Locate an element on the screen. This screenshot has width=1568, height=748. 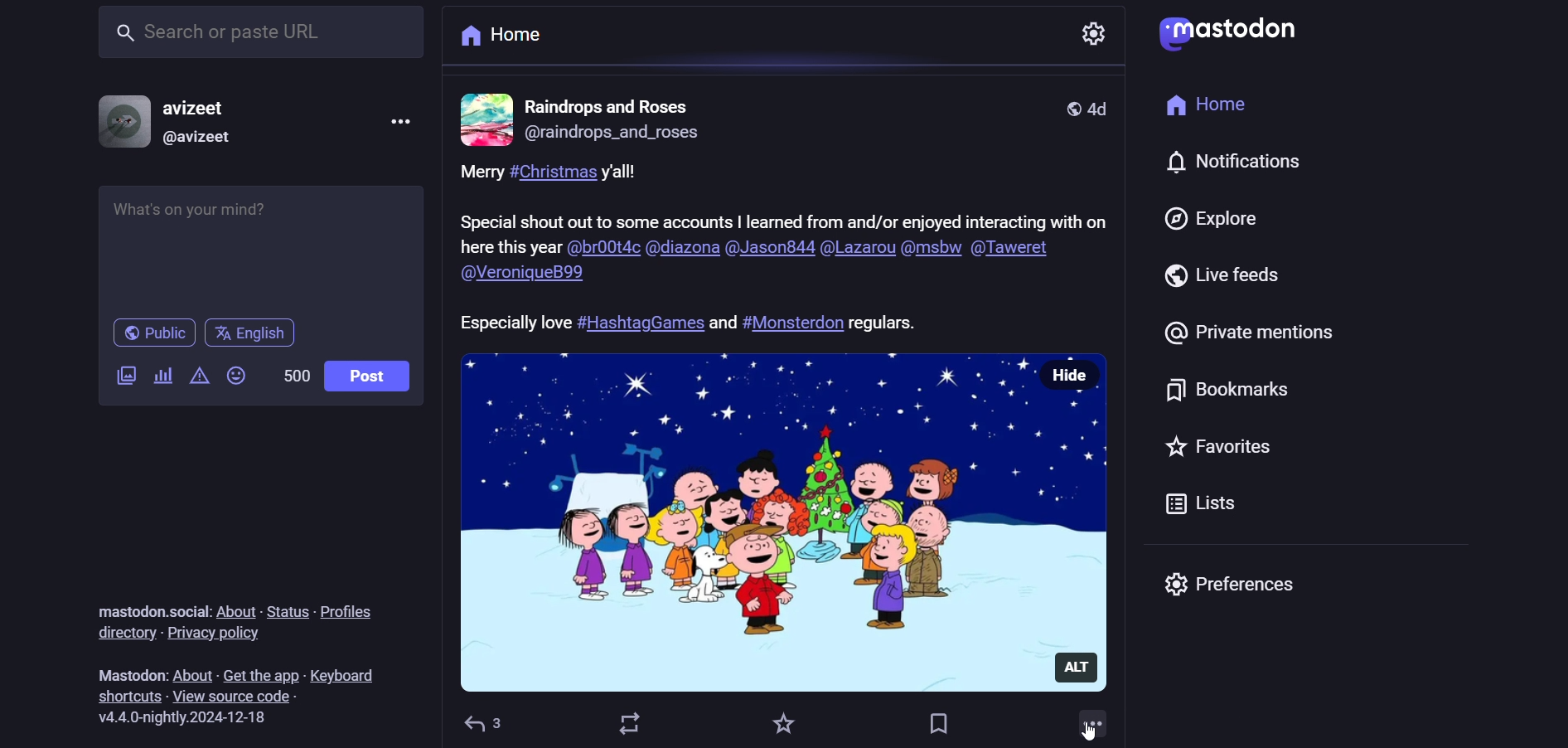
@taweret is located at coordinates (1020, 248).